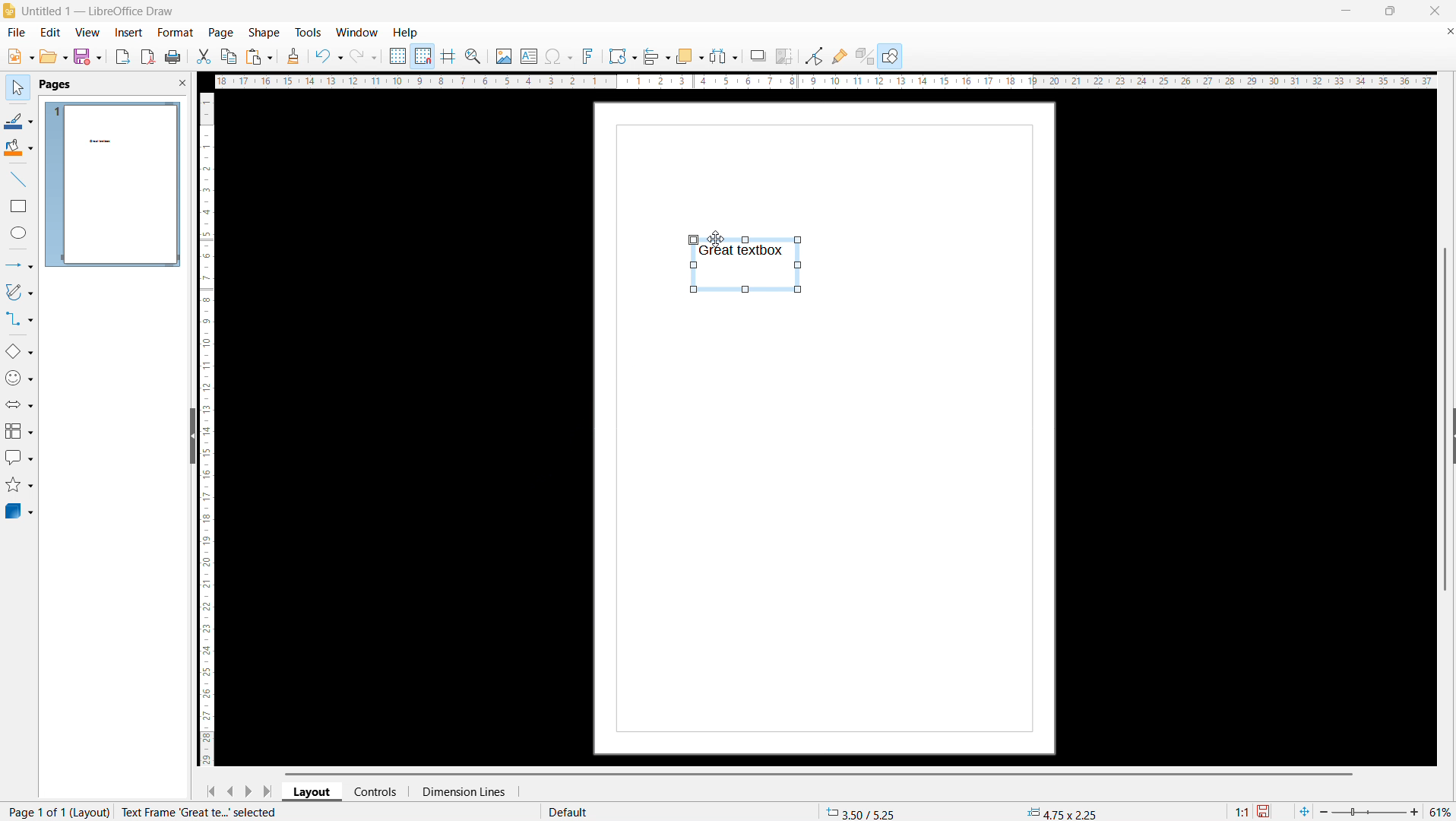 The image size is (1456, 821). What do you see at coordinates (1433, 11) in the screenshot?
I see `Close ` at bounding box center [1433, 11].